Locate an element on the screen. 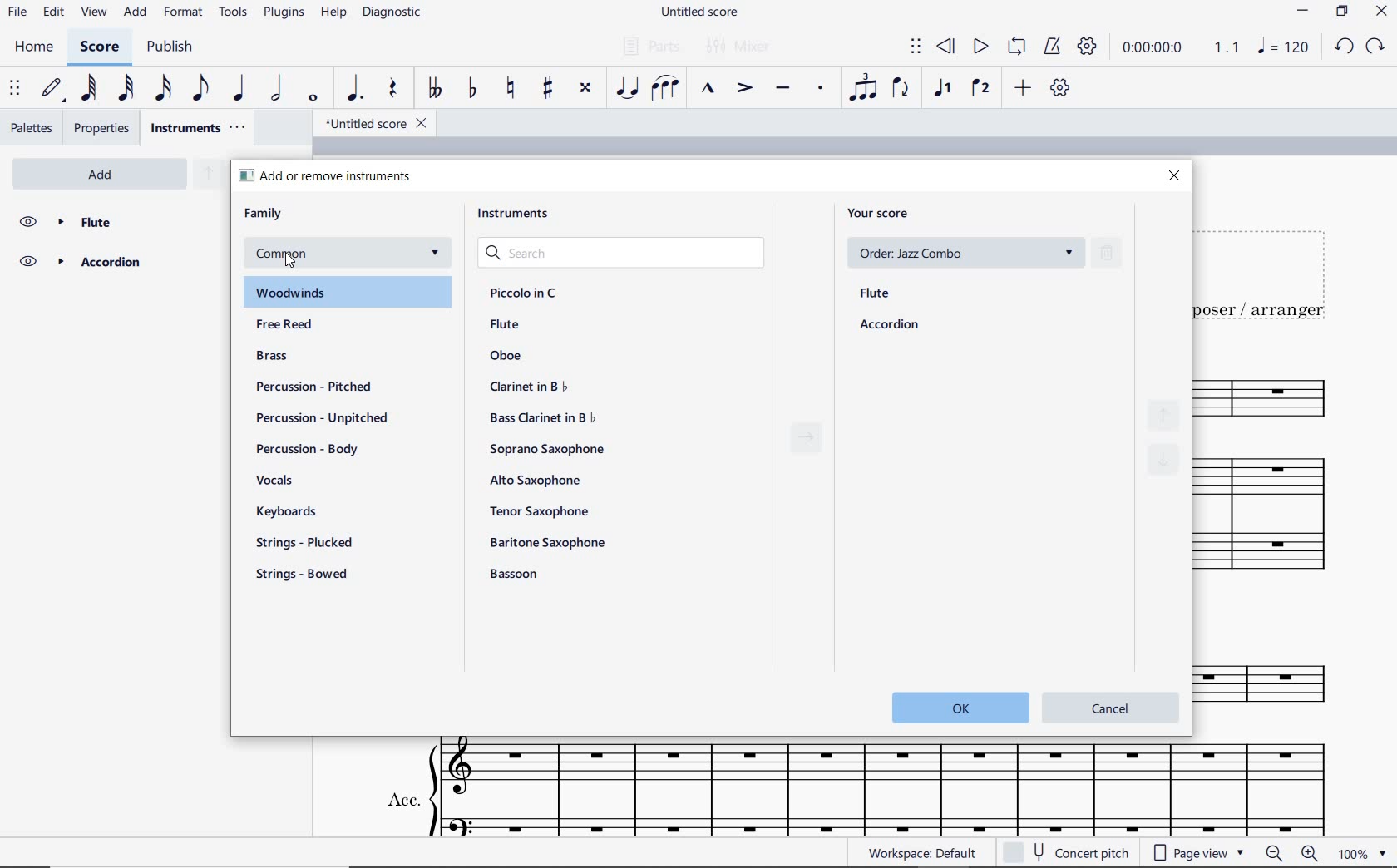  customize toolbar is located at coordinates (1062, 88).